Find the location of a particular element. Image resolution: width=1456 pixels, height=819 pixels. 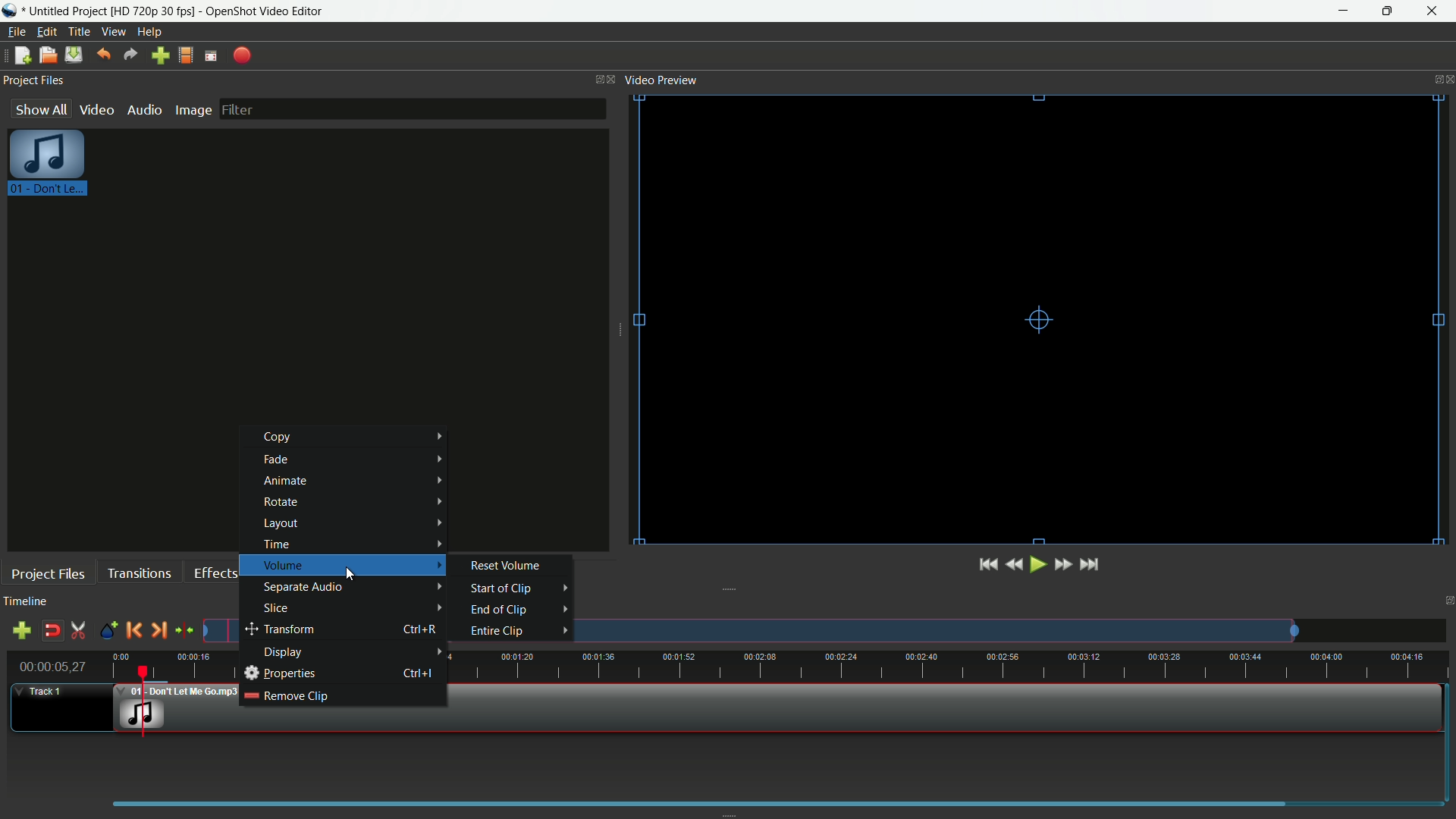

view menu is located at coordinates (115, 33).